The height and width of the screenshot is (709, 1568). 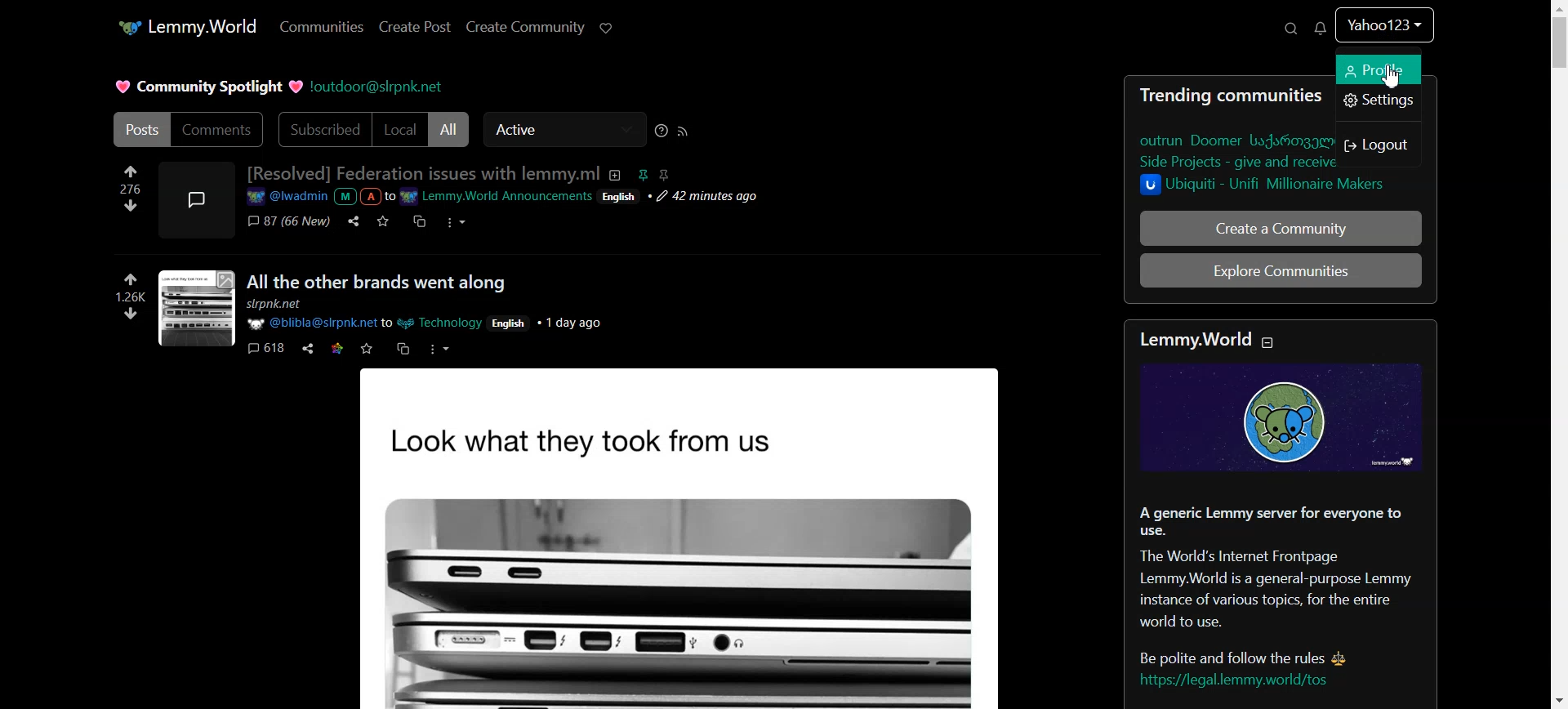 I want to click on Create Post, so click(x=416, y=27).